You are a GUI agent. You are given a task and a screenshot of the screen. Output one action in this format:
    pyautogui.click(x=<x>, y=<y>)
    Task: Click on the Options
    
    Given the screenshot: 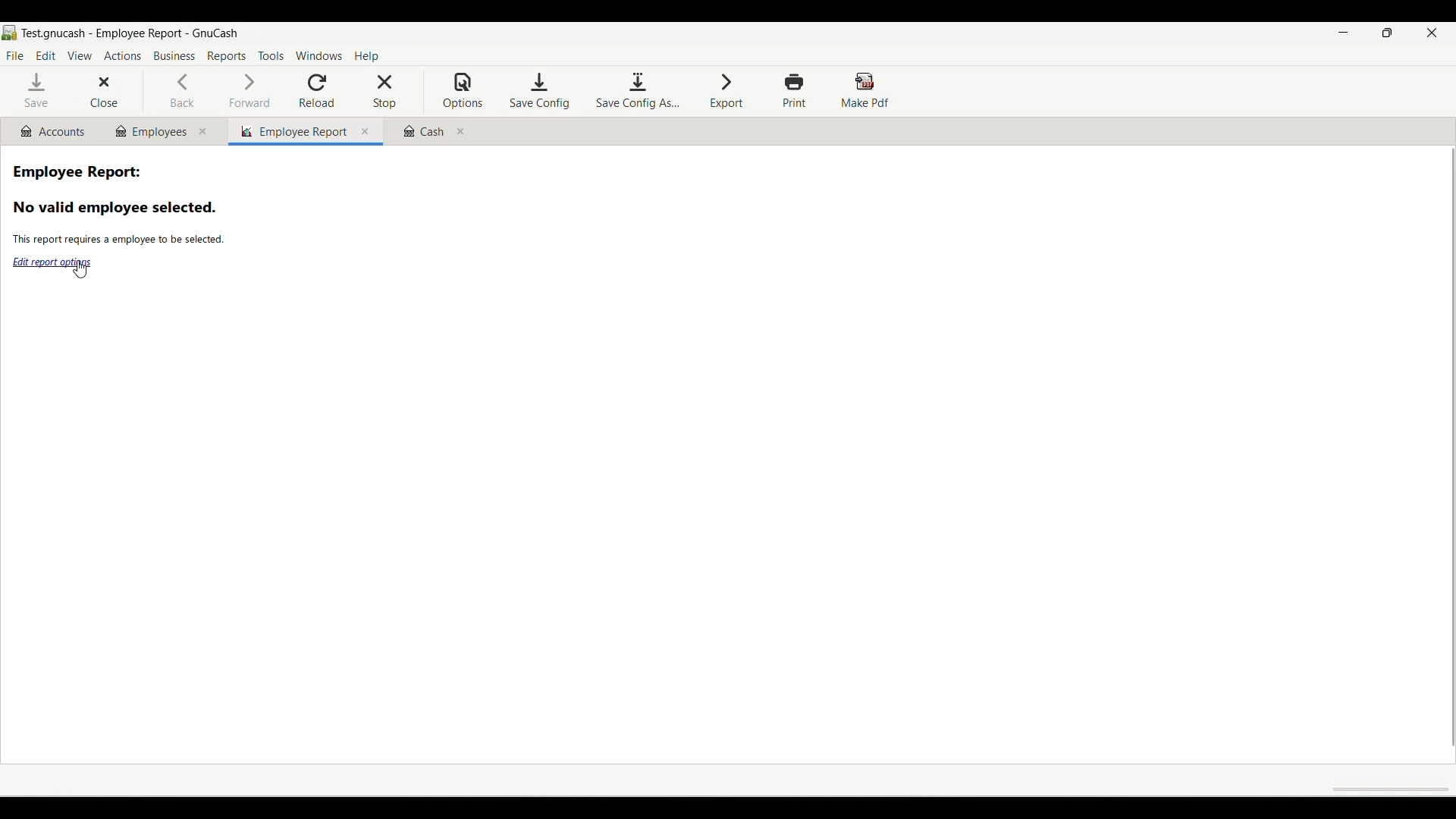 What is the action you would take?
    pyautogui.click(x=462, y=91)
    